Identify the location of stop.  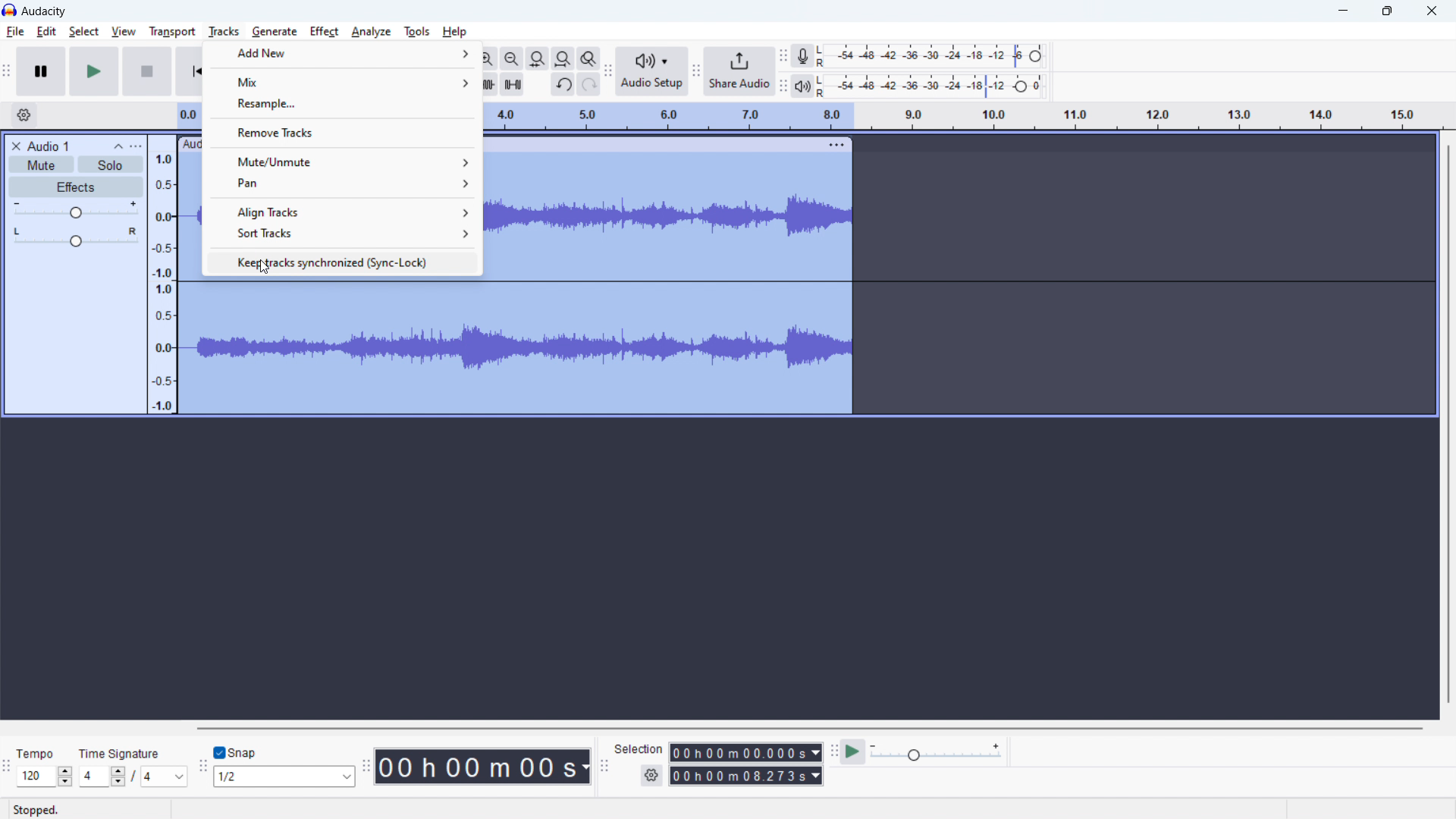
(148, 71).